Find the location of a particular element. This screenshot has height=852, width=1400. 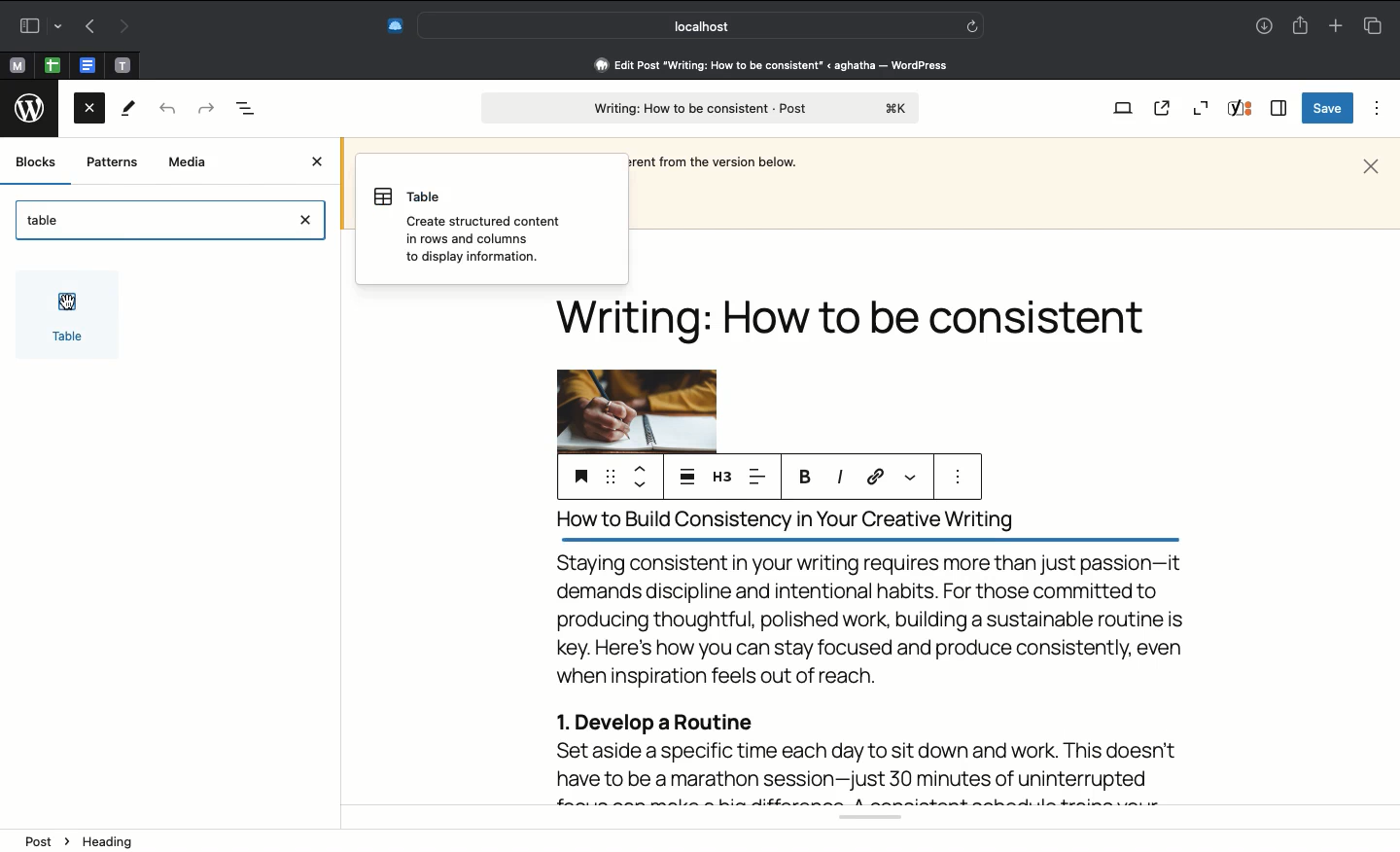

Save is located at coordinates (578, 476).